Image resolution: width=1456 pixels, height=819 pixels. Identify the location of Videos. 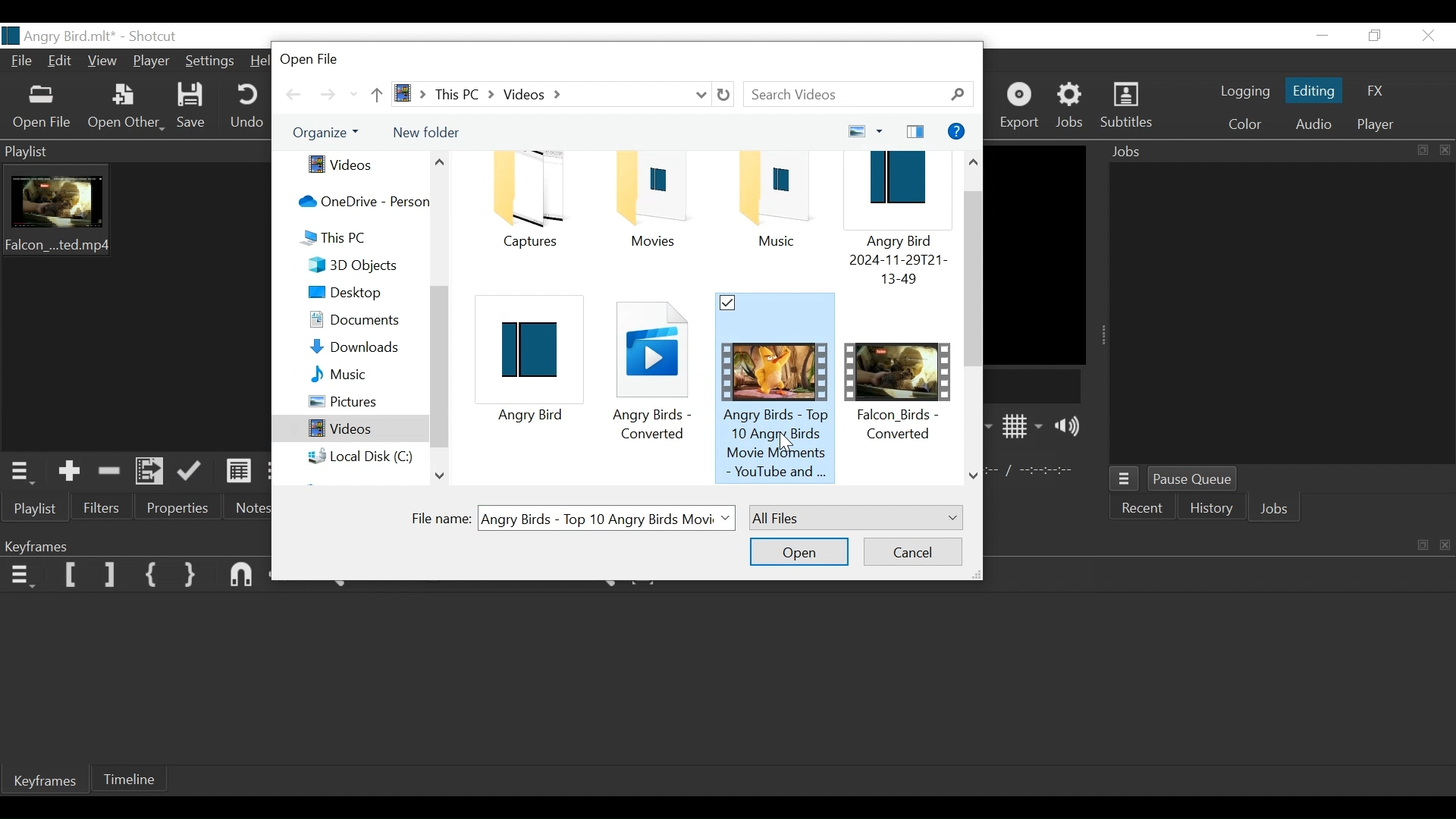
(350, 428).